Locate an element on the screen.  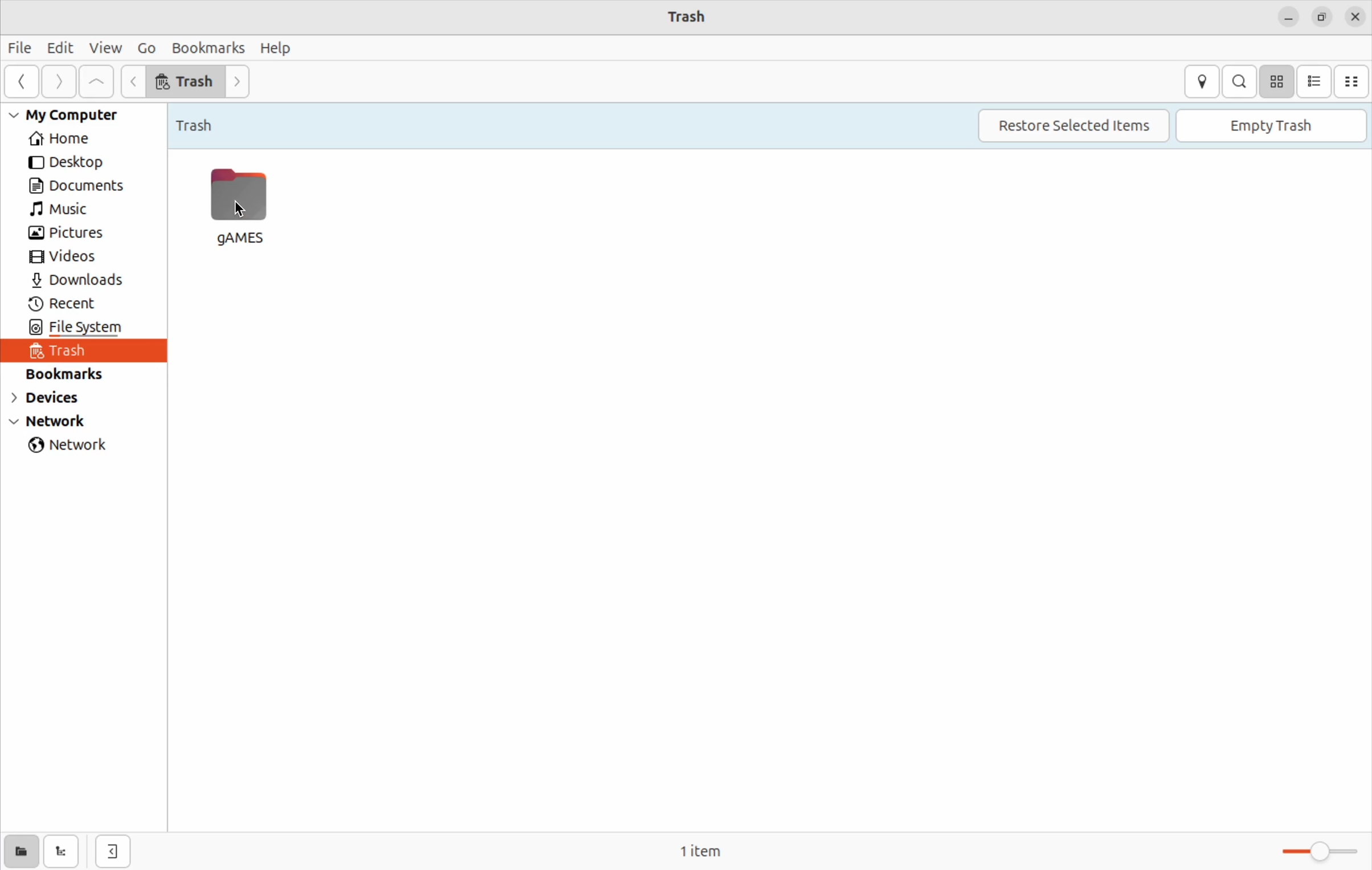
videos is located at coordinates (72, 257).